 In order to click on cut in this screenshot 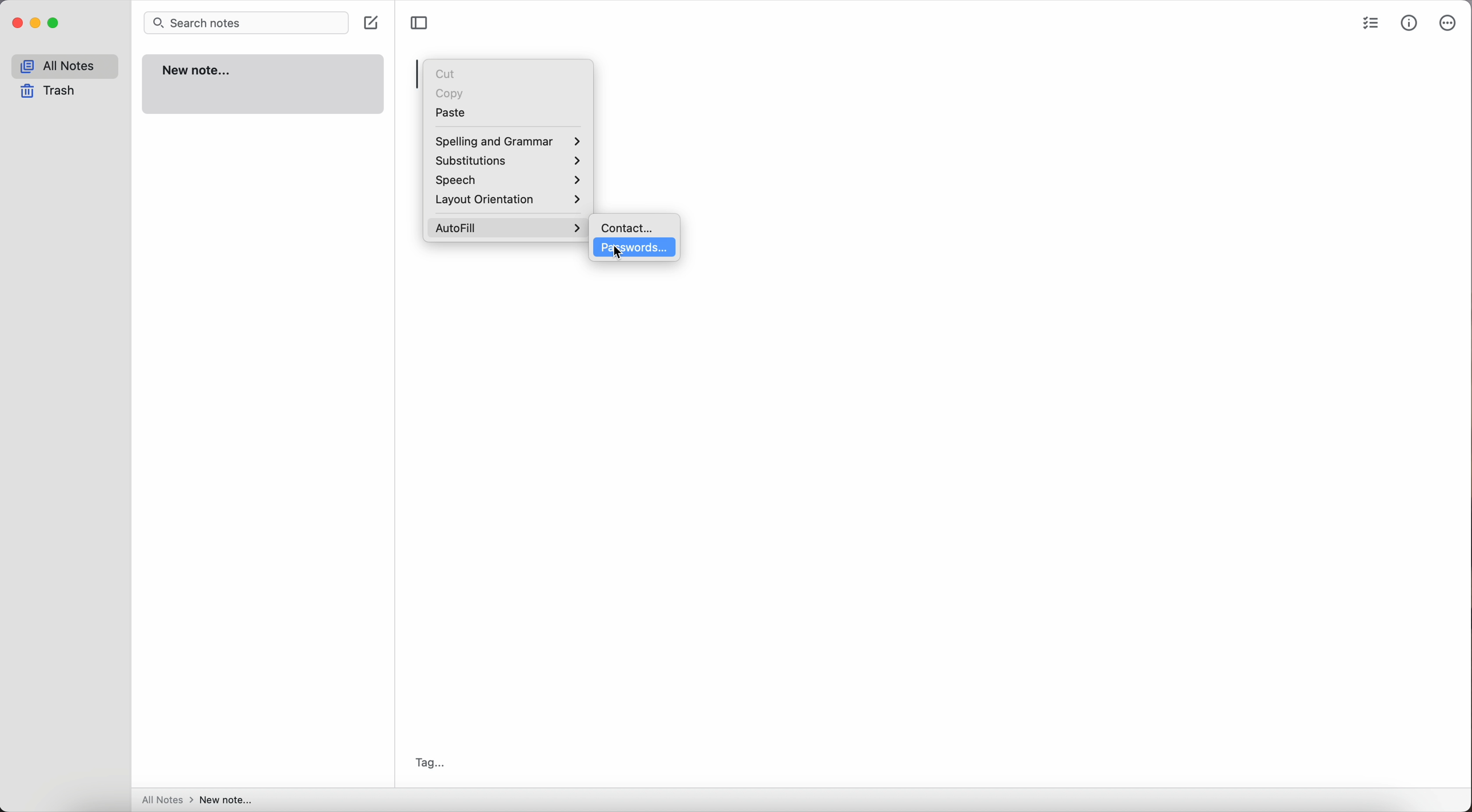, I will do `click(445, 73)`.